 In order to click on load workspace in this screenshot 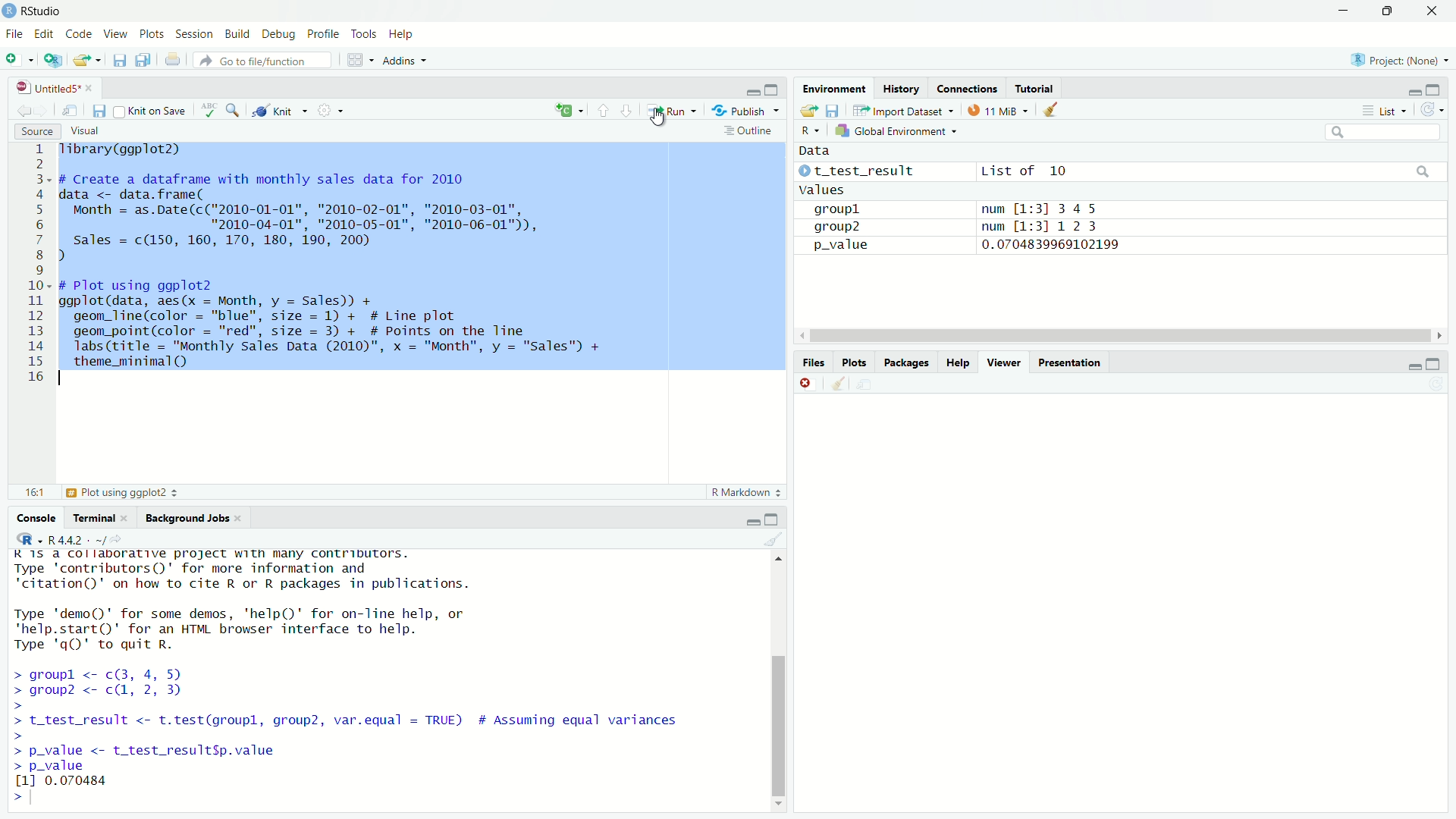, I will do `click(809, 111)`.